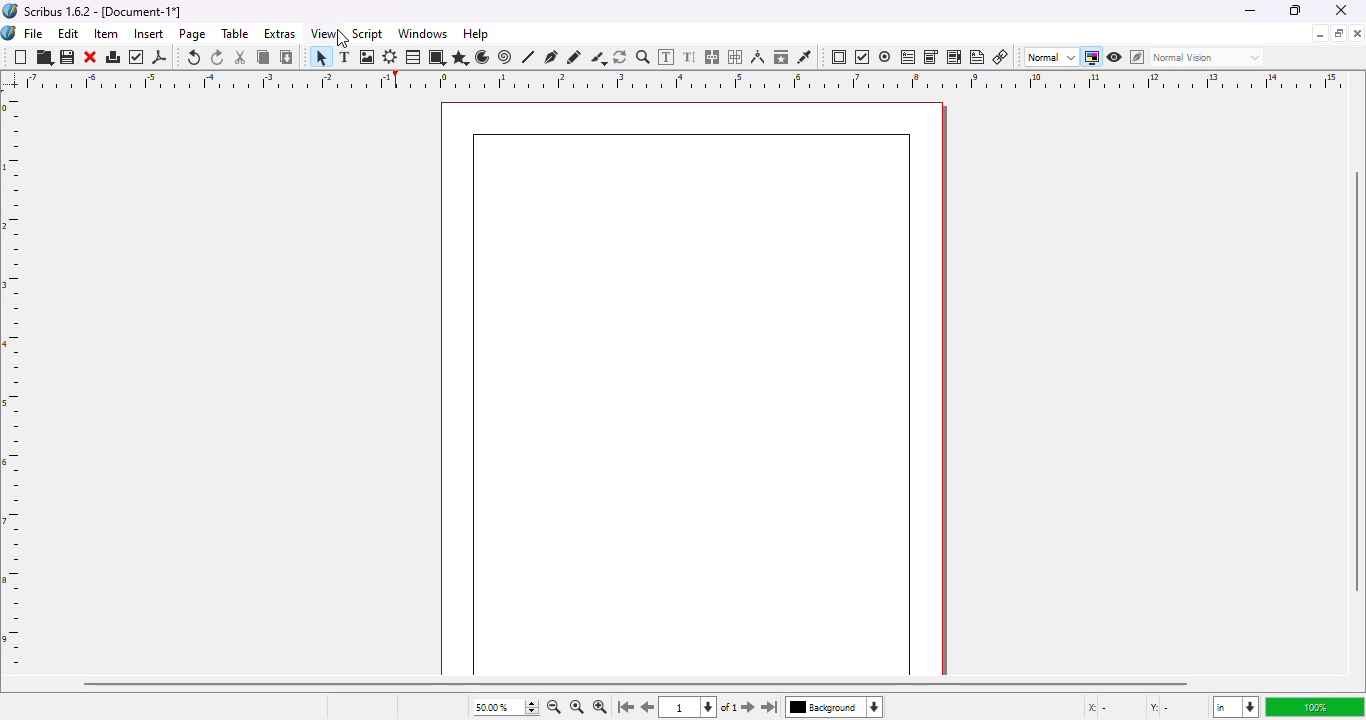  What do you see at coordinates (529, 57) in the screenshot?
I see `line` at bounding box center [529, 57].